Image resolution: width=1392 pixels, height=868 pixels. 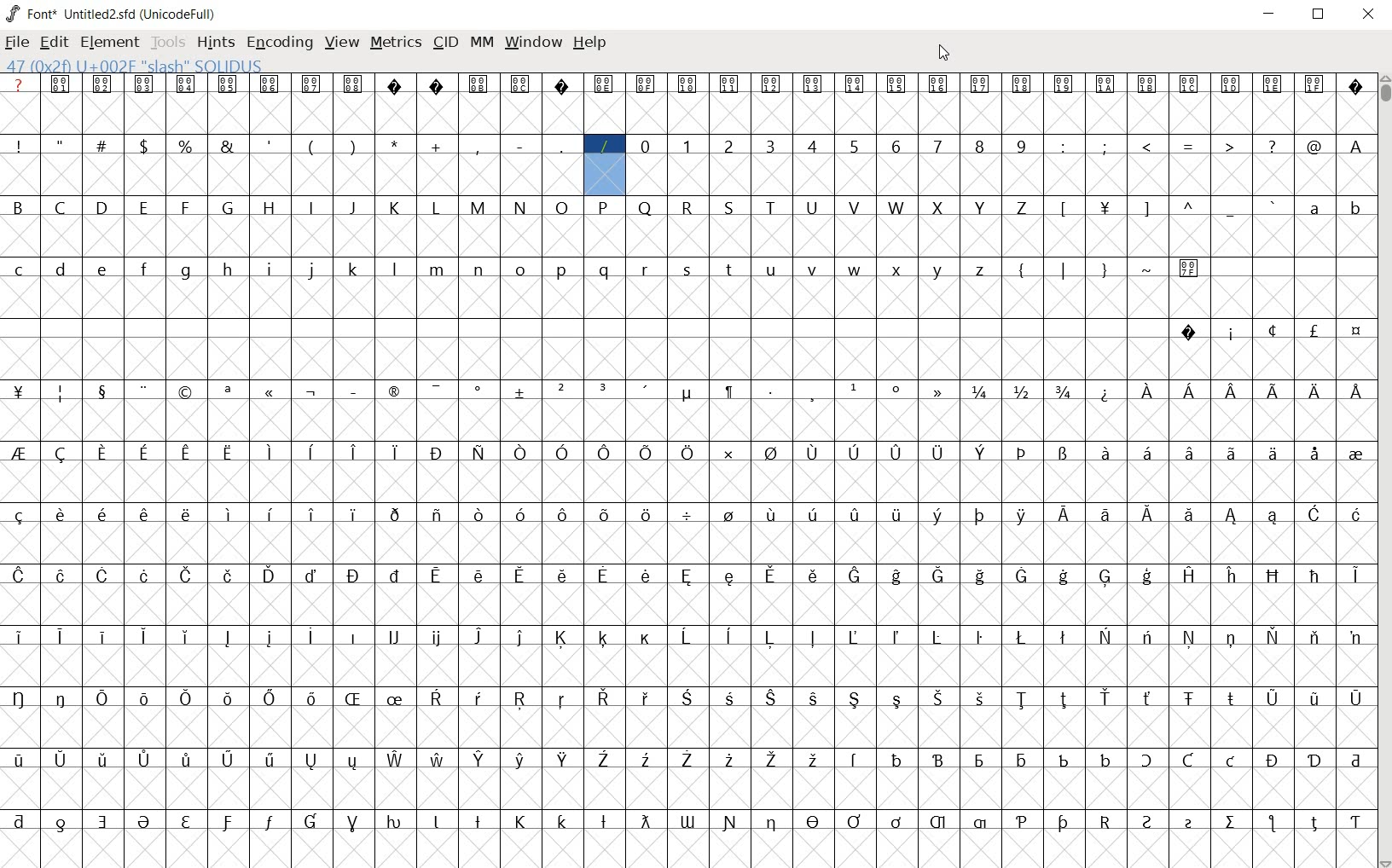 What do you see at coordinates (101, 636) in the screenshot?
I see `glyph` at bounding box center [101, 636].